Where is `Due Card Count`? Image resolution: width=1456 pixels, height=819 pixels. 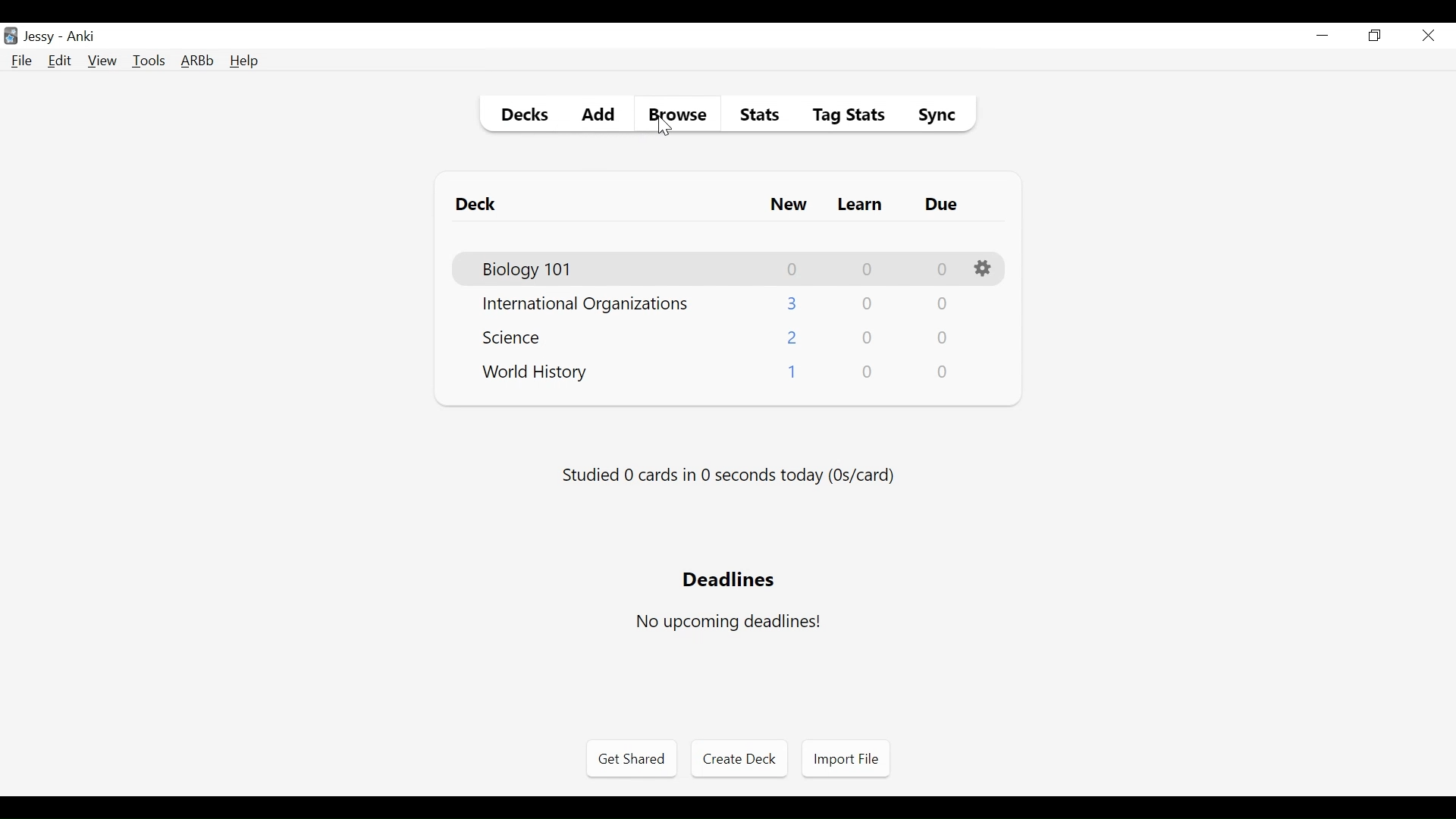 Due Card Count is located at coordinates (943, 270).